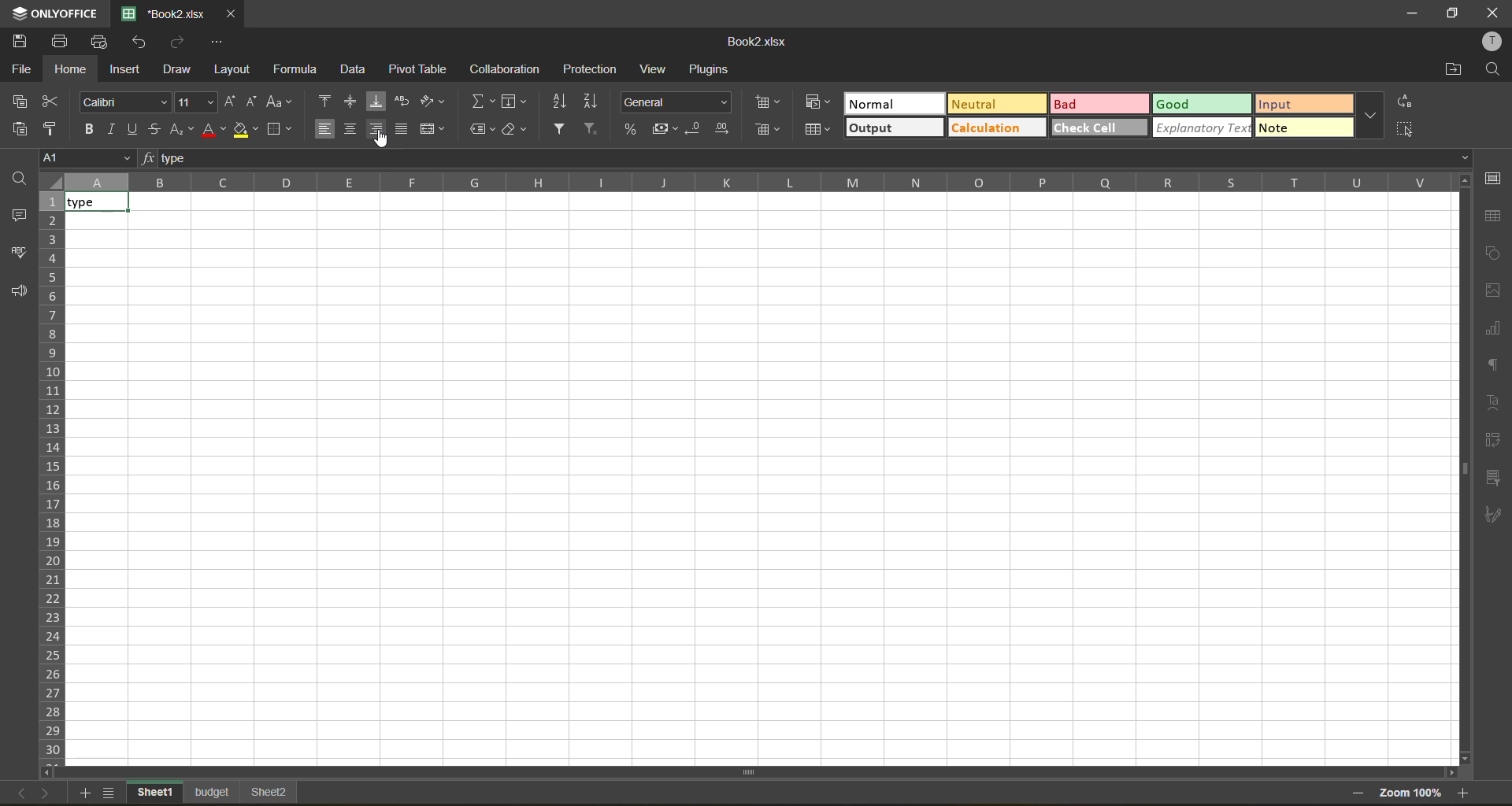 The width and height of the screenshot is (1512, 806). Describe the element at coordinates (656, 70) in the screenshot. I see `view` at that location.